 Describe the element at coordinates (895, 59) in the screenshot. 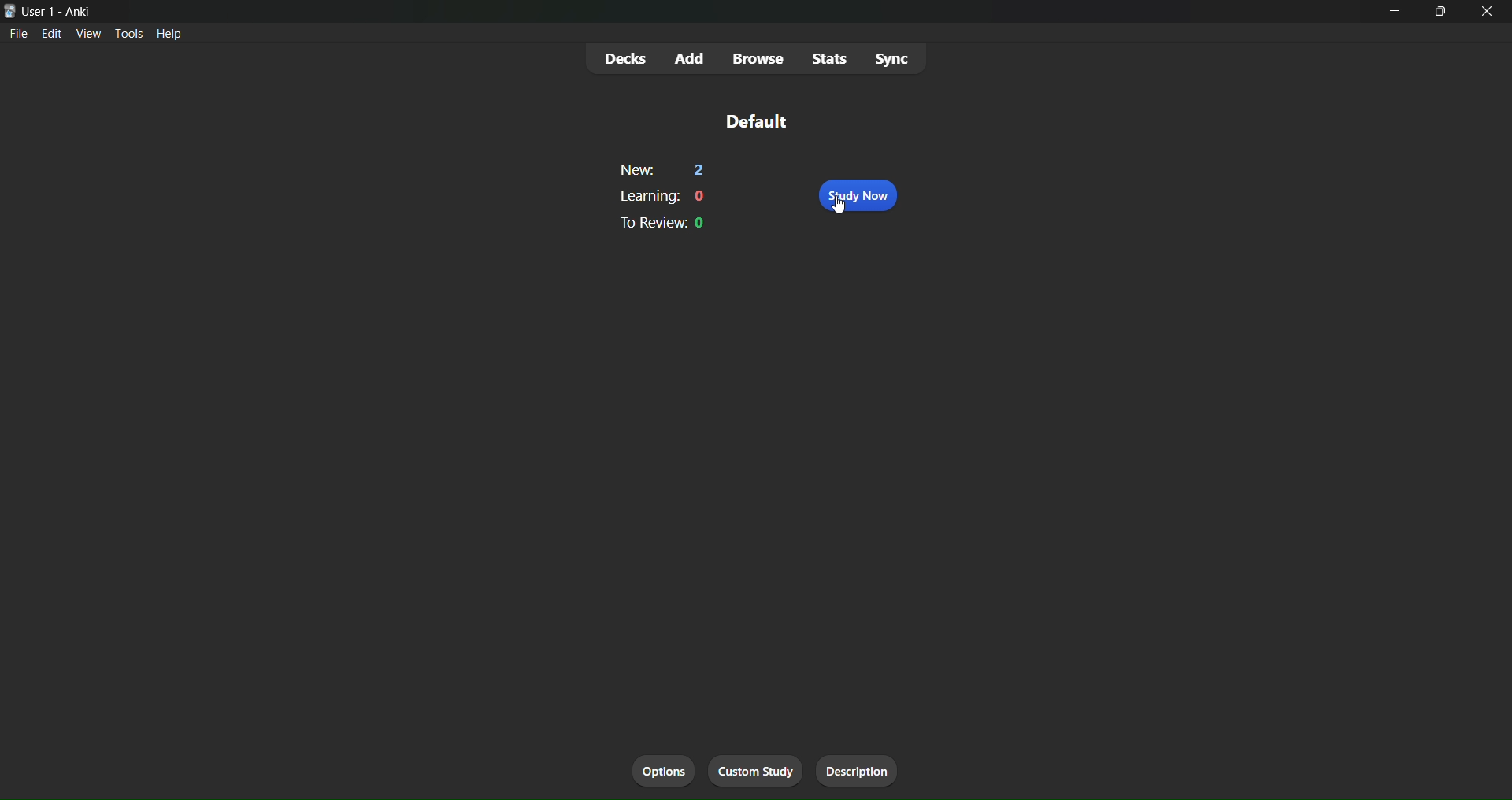

I see `Sync` at that location.